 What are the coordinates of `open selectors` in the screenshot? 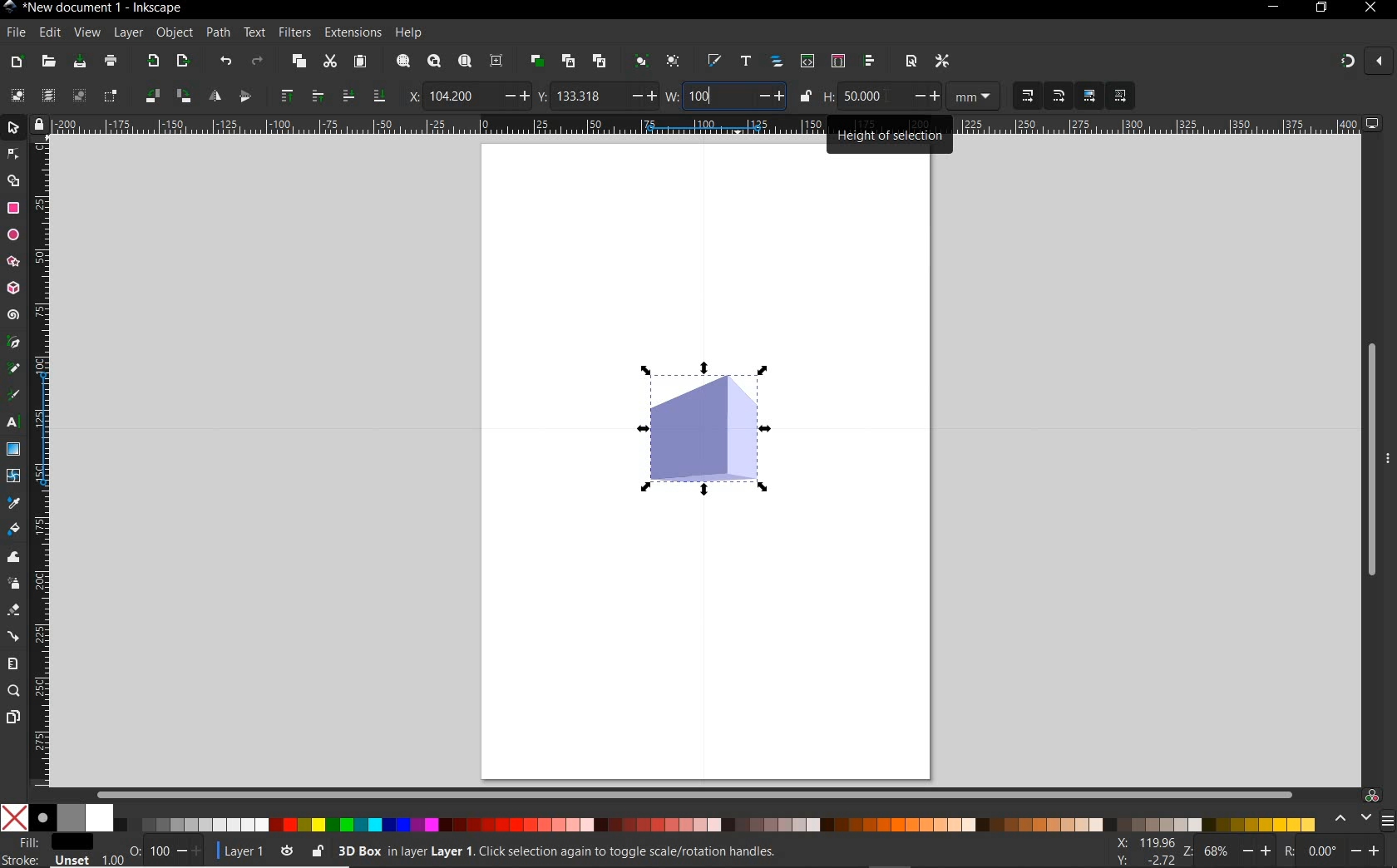 It's located at (837, 60).